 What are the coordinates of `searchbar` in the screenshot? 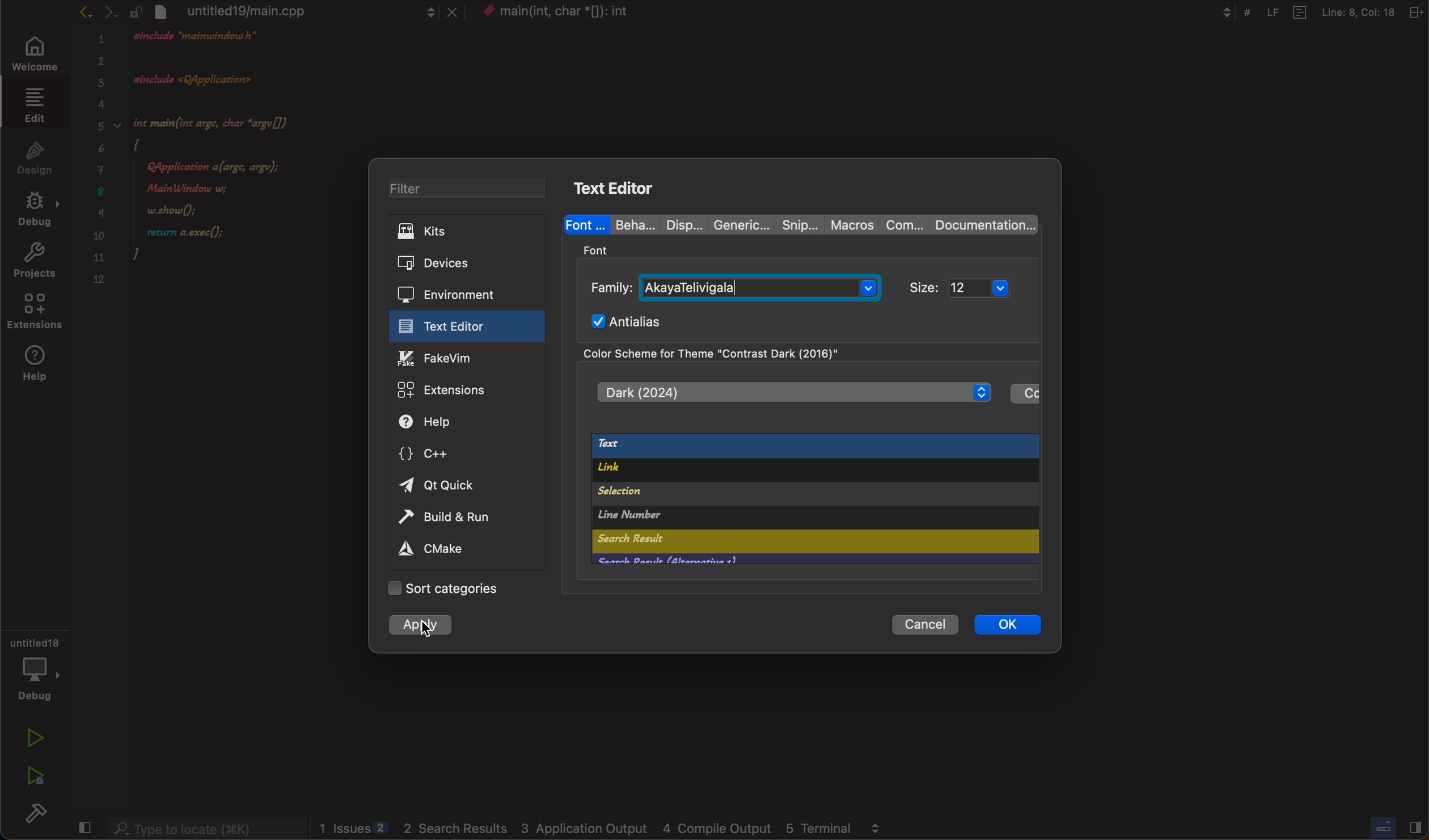 It's located at (206, 827).